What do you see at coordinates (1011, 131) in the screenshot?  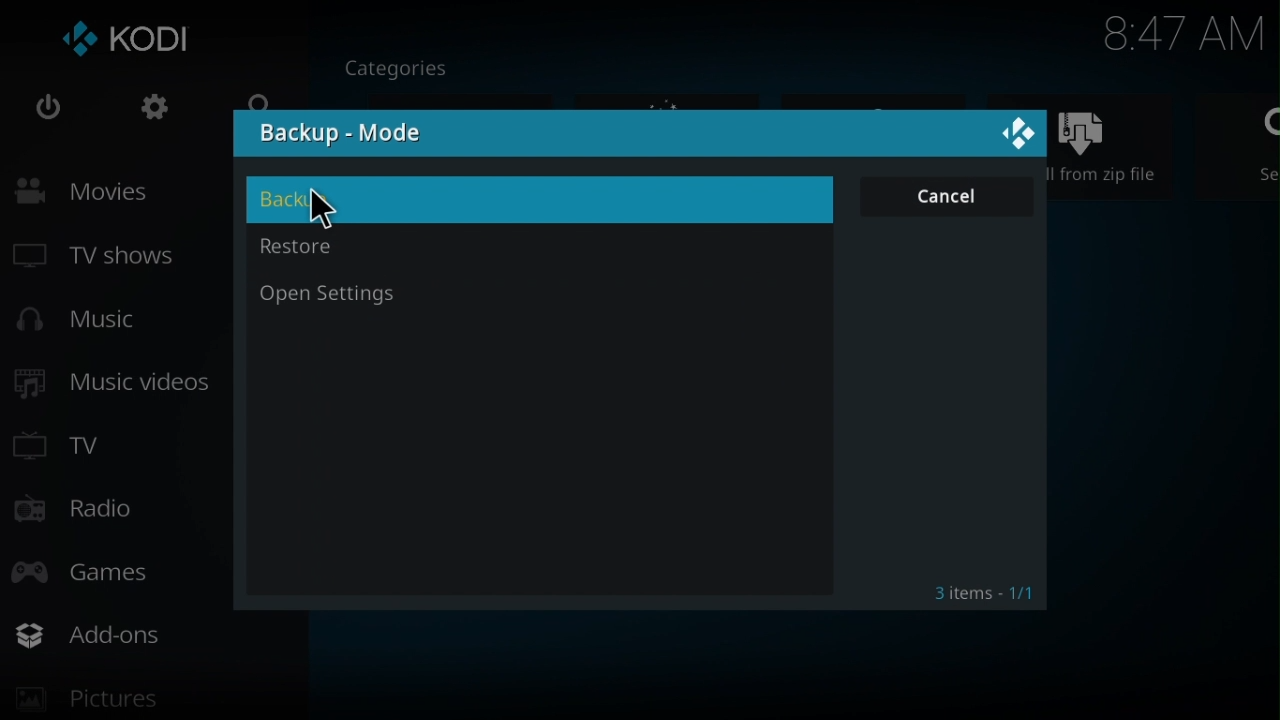 I see `close` at bounding box center [1011, 131].